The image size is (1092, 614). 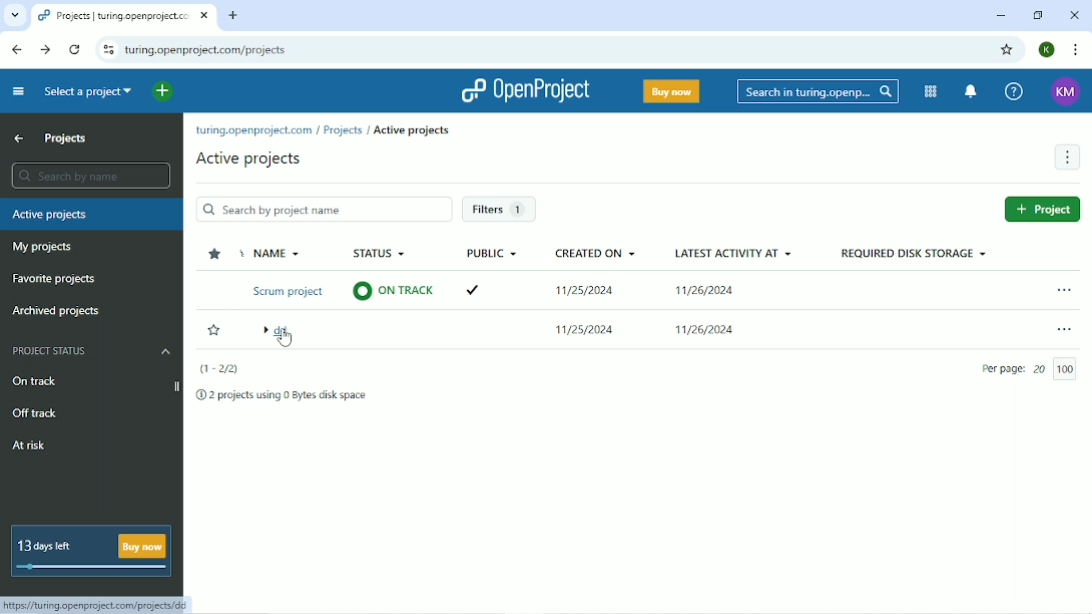 What do you see at coordinates (234, 15) in the screenshot?
I see `New tab` at bounding box center [234, 15].